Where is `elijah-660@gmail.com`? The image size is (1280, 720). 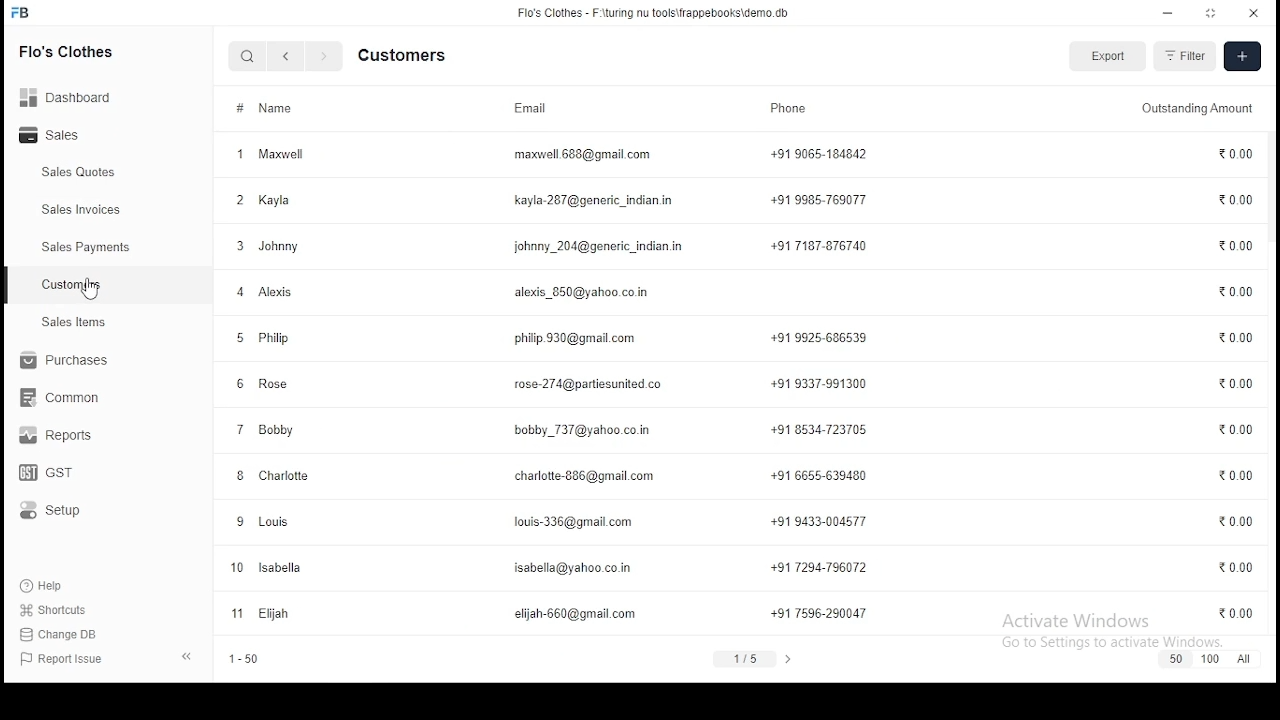
elijah-660@gmail.com is located at coordinates (532, 616).